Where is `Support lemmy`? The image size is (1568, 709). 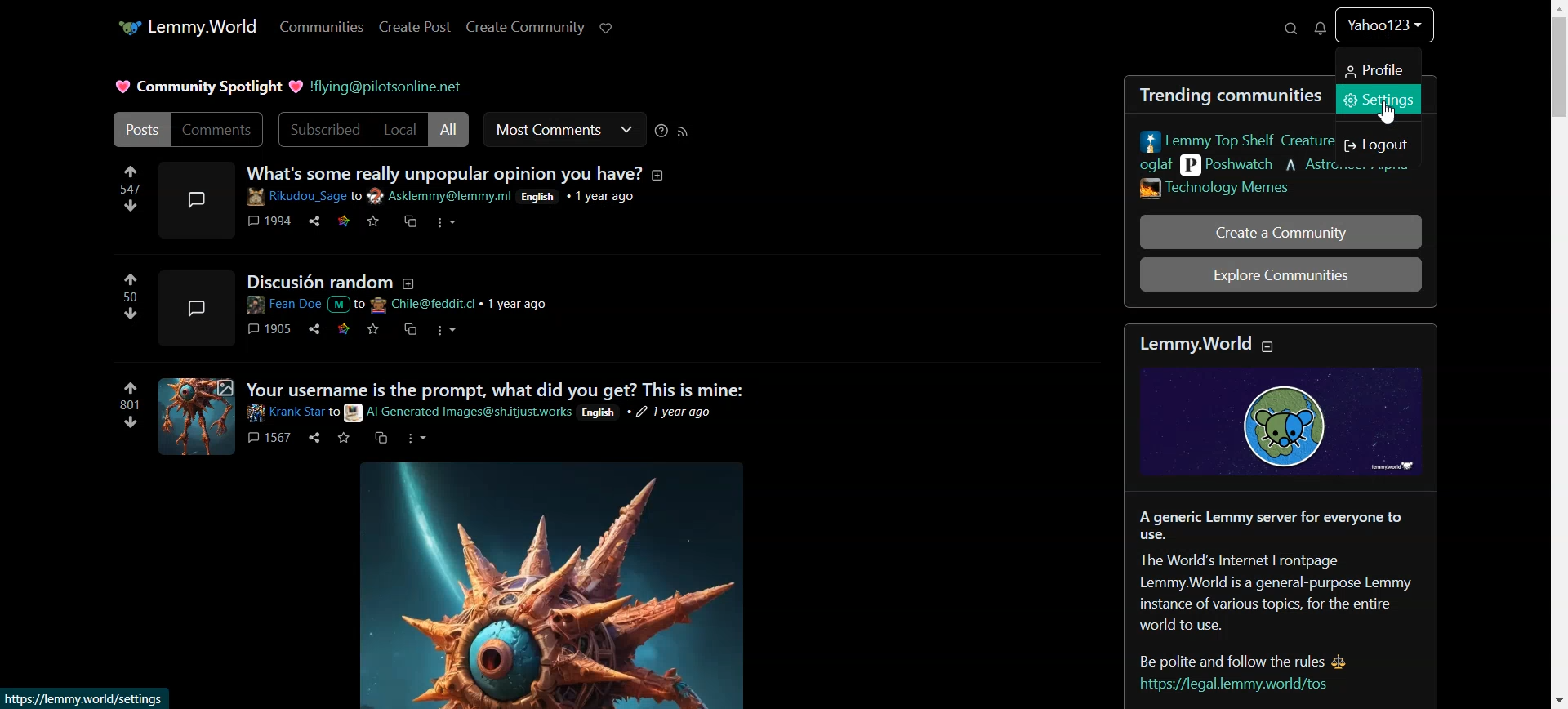
Support lemmy is located at coordinates (604, 28).